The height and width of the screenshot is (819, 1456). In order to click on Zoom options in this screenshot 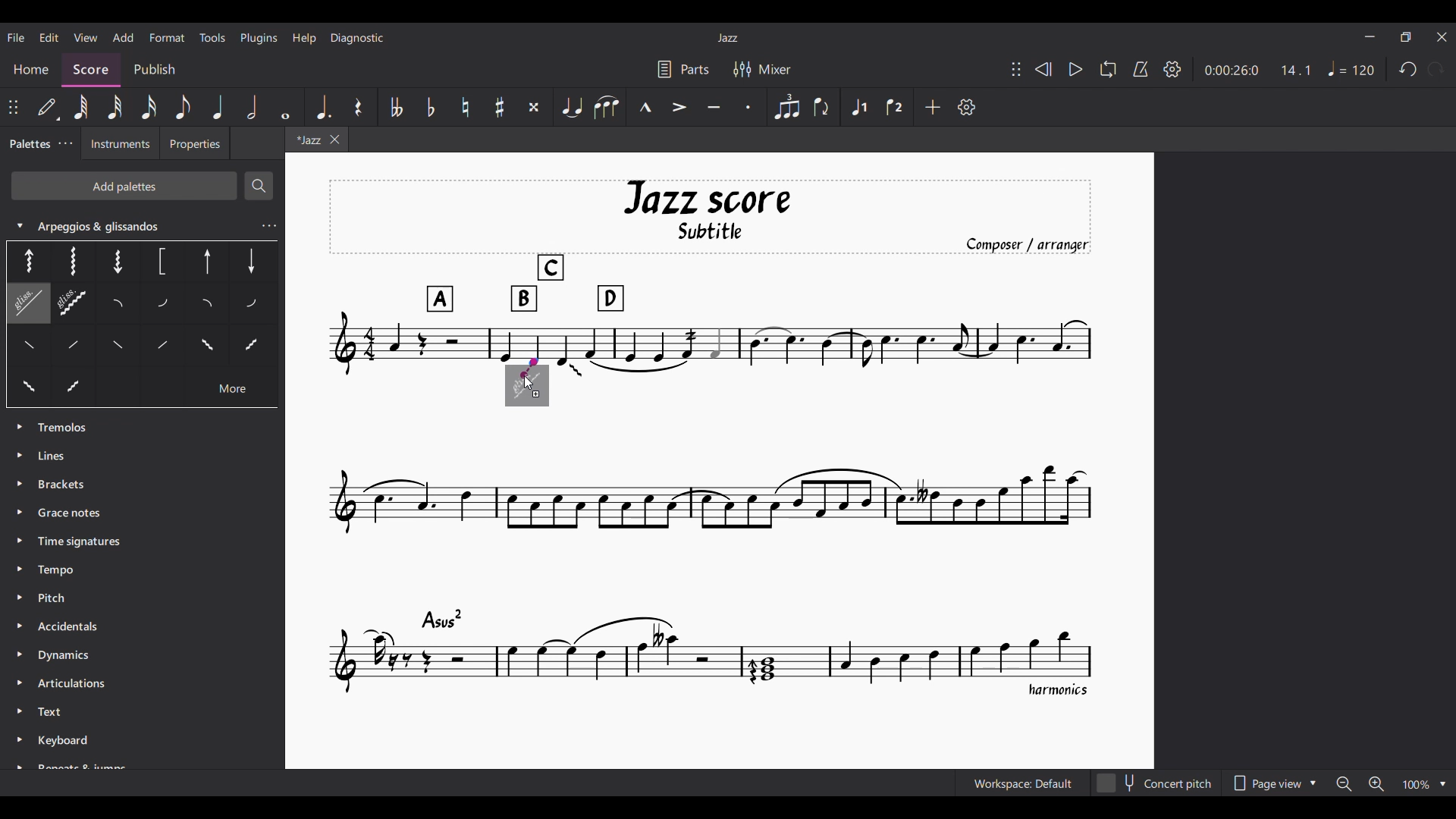, I will do `click(1391, 783)`.